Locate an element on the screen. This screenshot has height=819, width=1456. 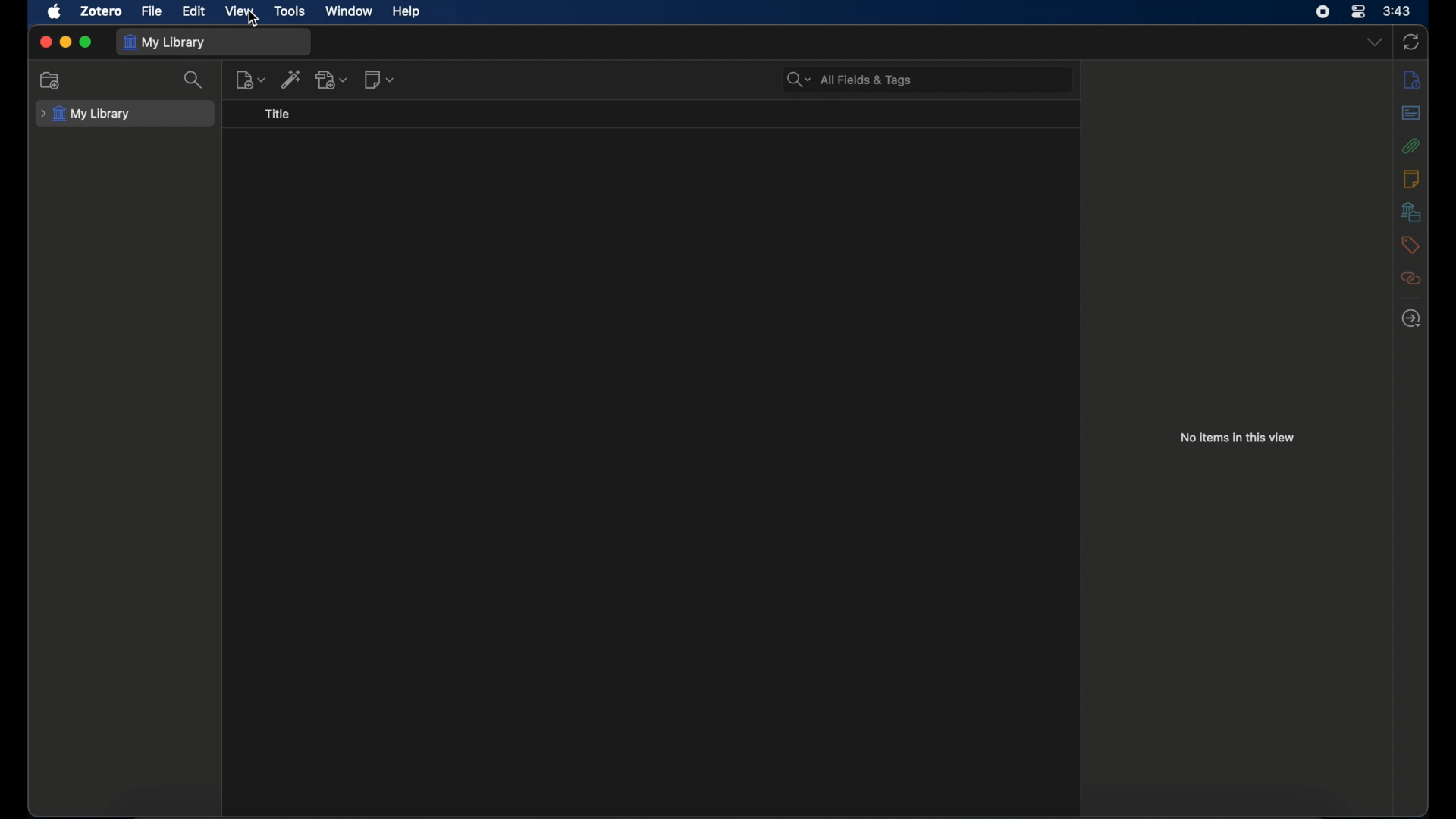
attachments is located at coordinates (1411, 146).